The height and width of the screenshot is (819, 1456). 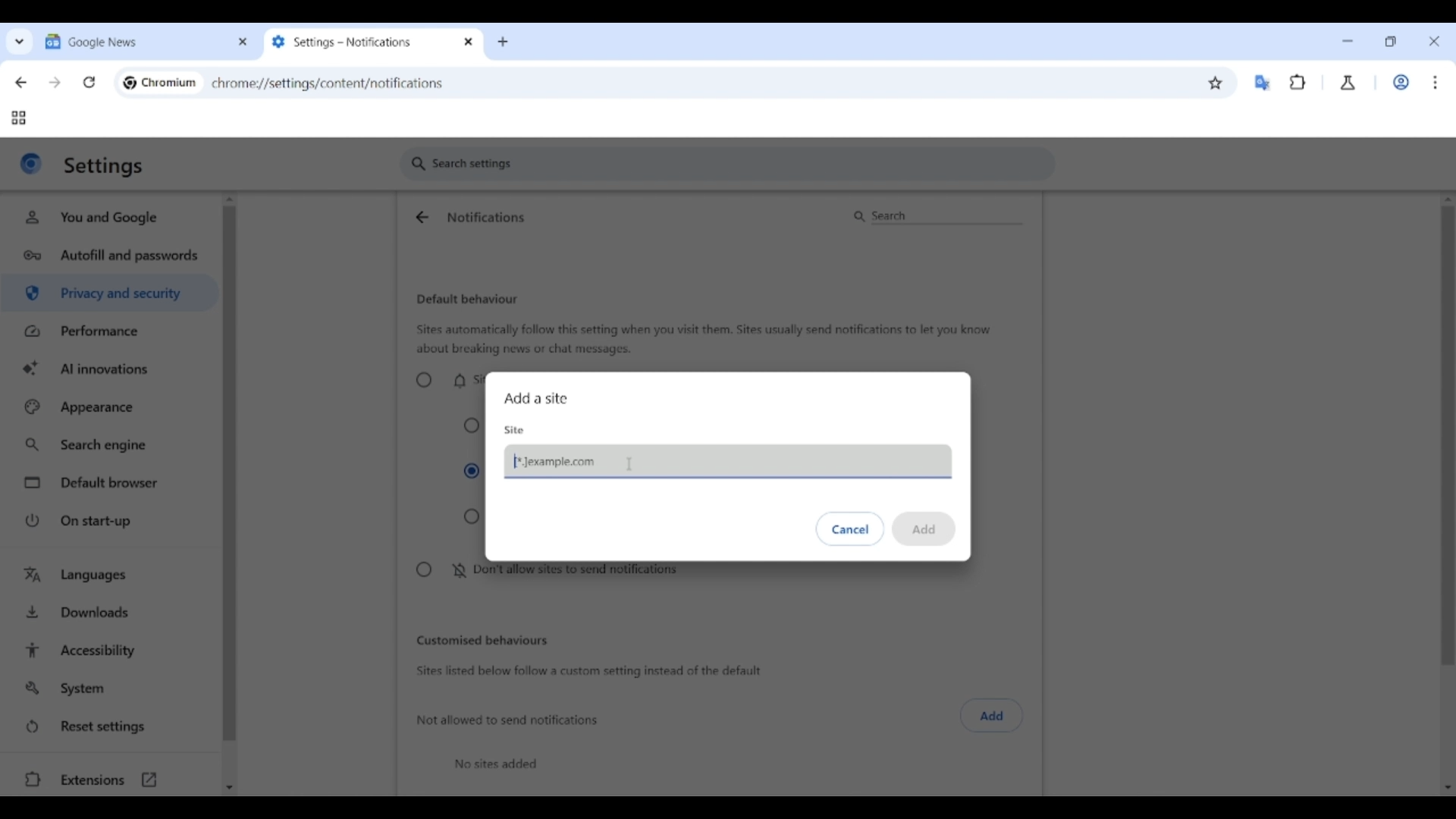 What do you see at coordinates (992, 716) in the screenshot?
I see `Click to add sites not allowed to send notifications` at bounding box center [992, 716].